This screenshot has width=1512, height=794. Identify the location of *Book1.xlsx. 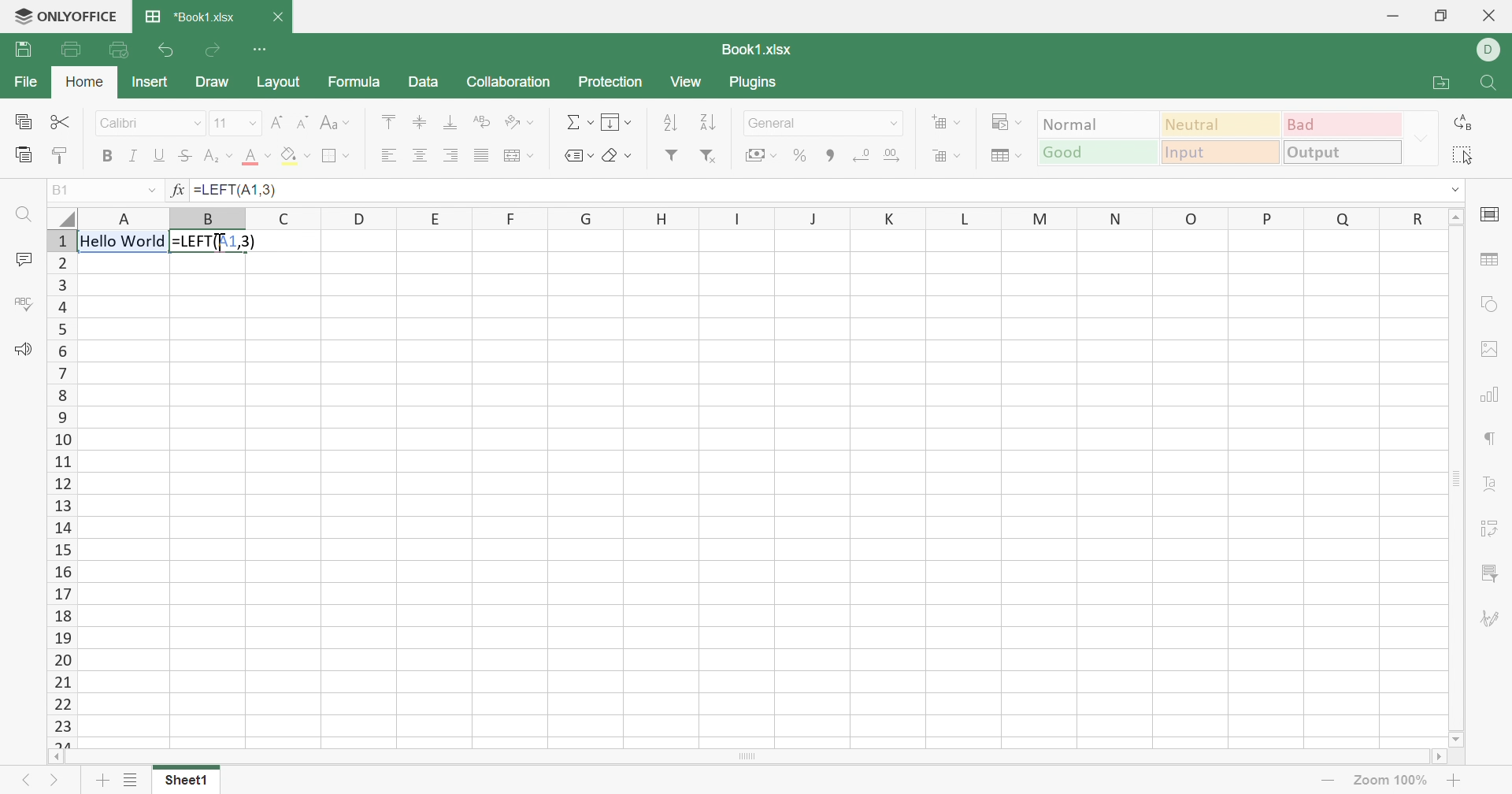
(192, 17).